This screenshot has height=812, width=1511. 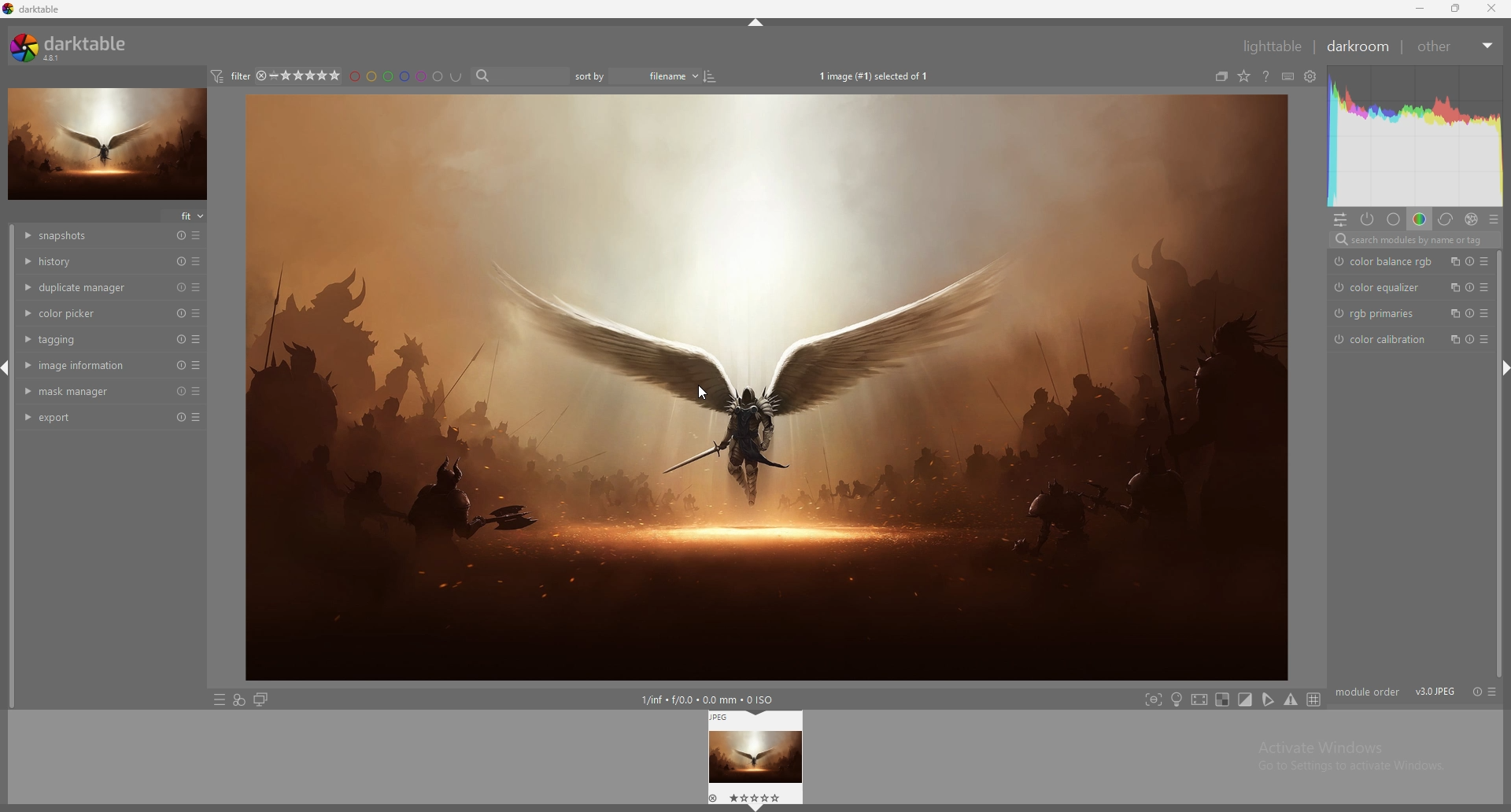 I want to click on reset, so click(x=182, y=339).